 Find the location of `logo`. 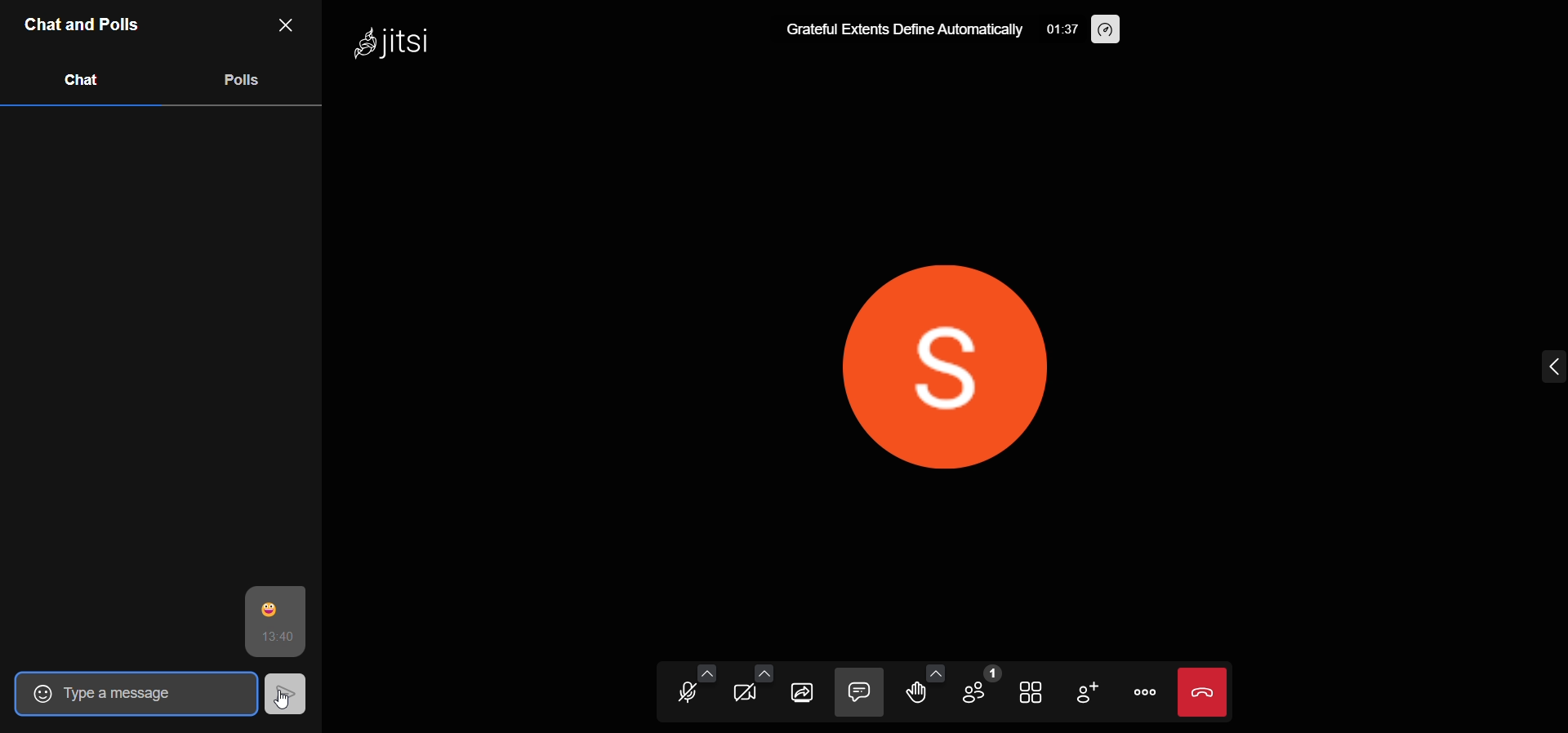

logo is located at coordinates (408, 42).